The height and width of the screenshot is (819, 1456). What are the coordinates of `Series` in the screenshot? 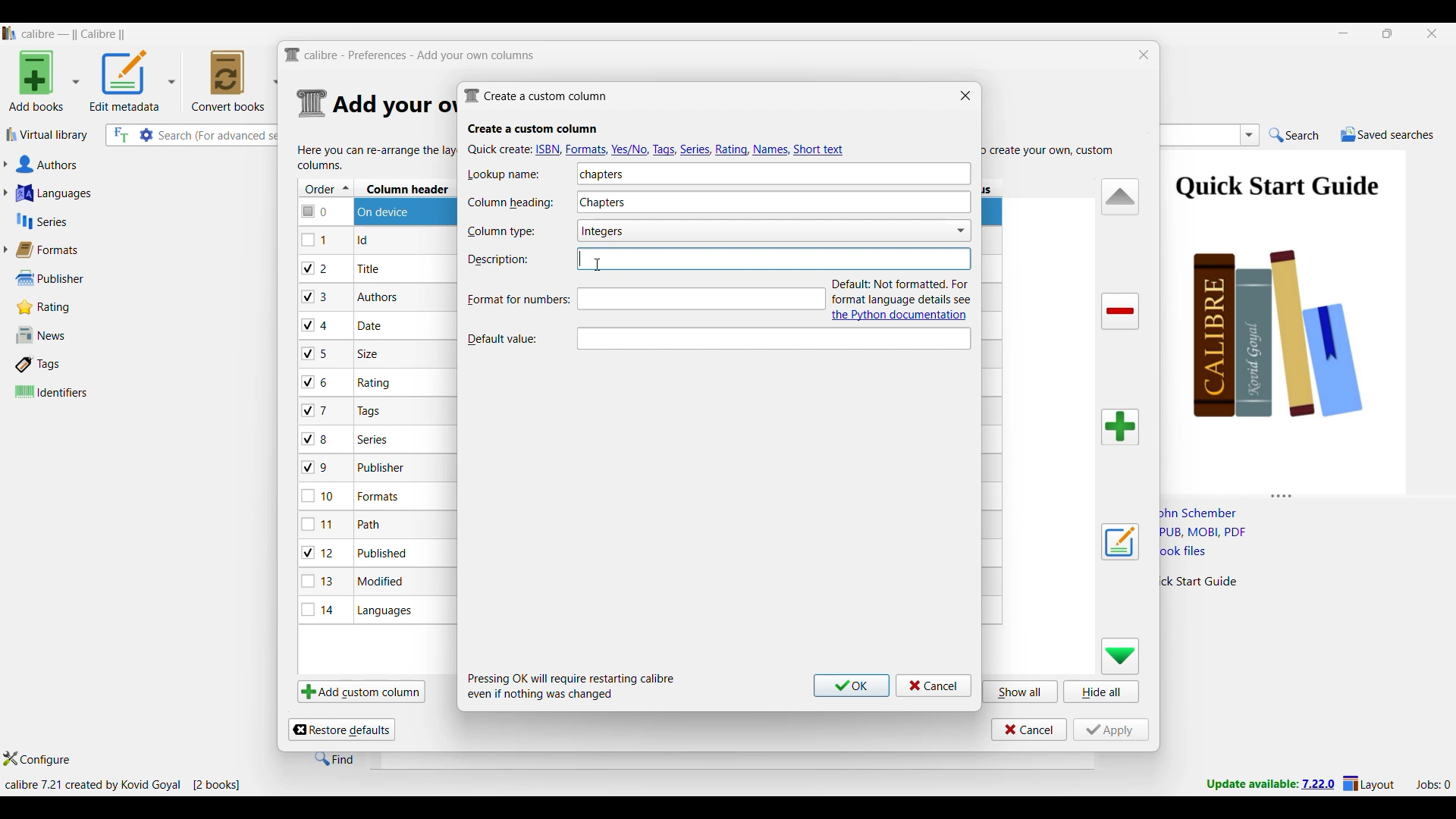 It's located at (114, 221).